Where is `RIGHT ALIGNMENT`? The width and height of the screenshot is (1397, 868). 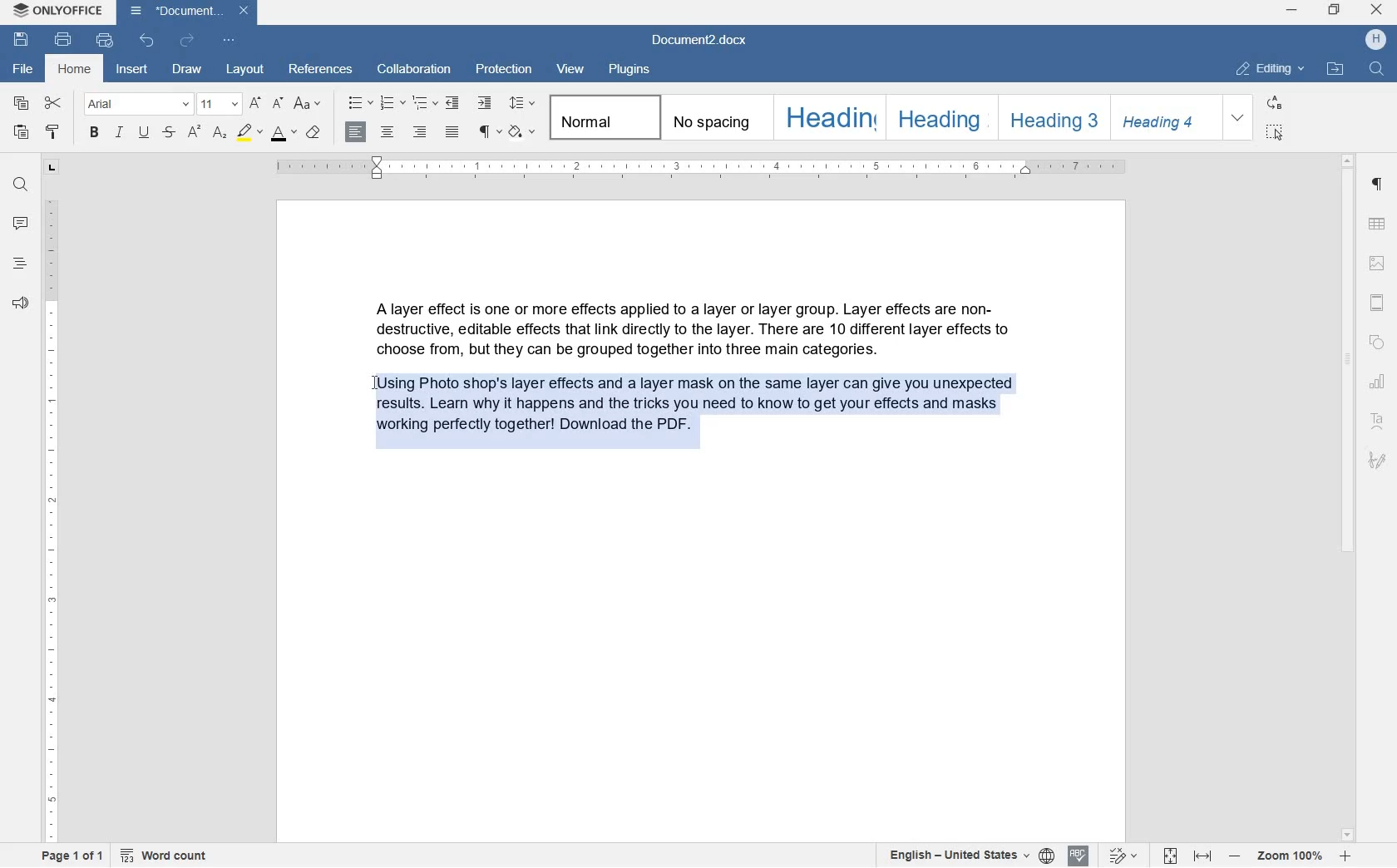
RIGHT ALIGNMENT is located at coordinates (420, 132).